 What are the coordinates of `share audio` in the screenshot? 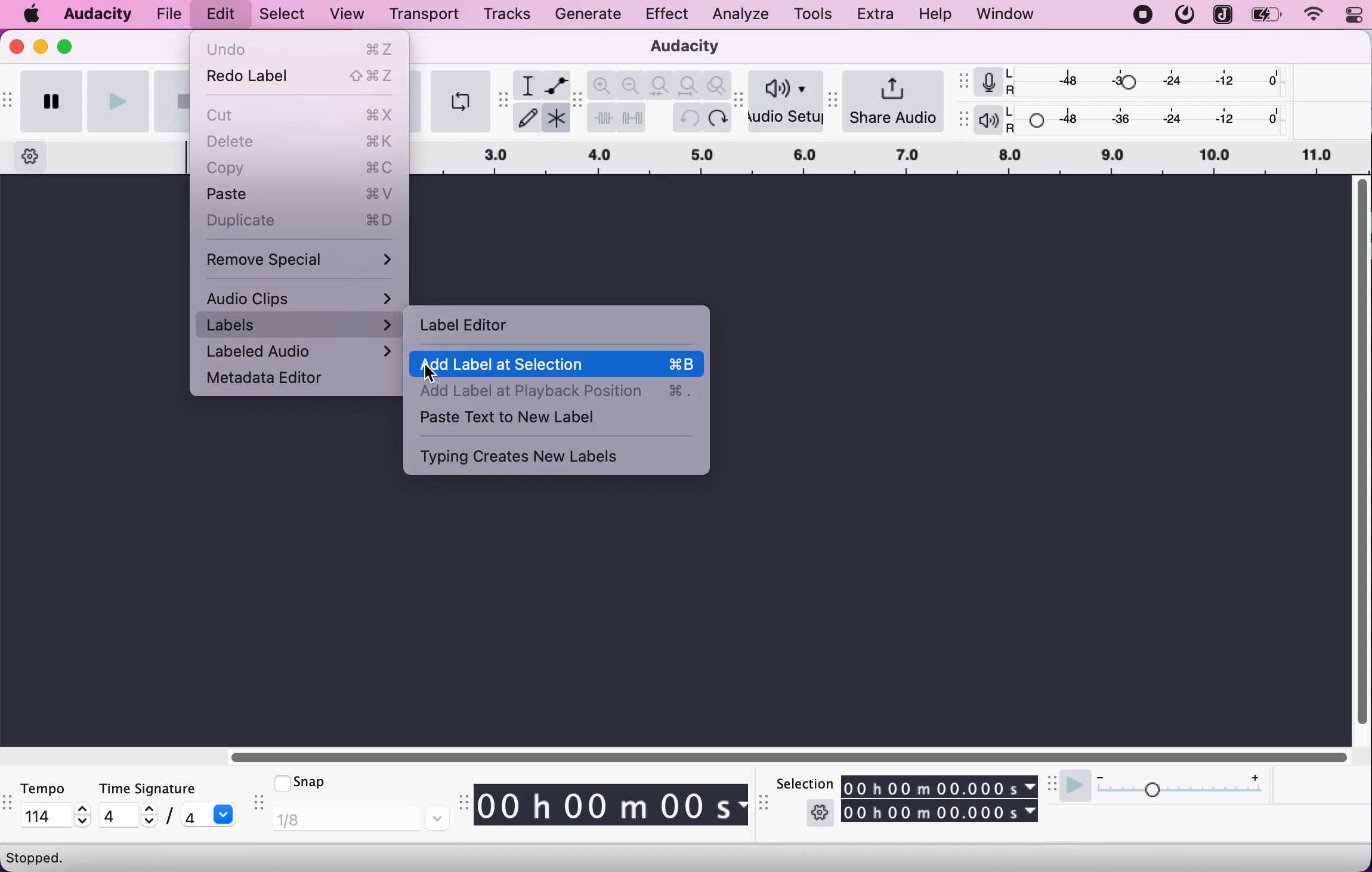 It's located at (897, 100).